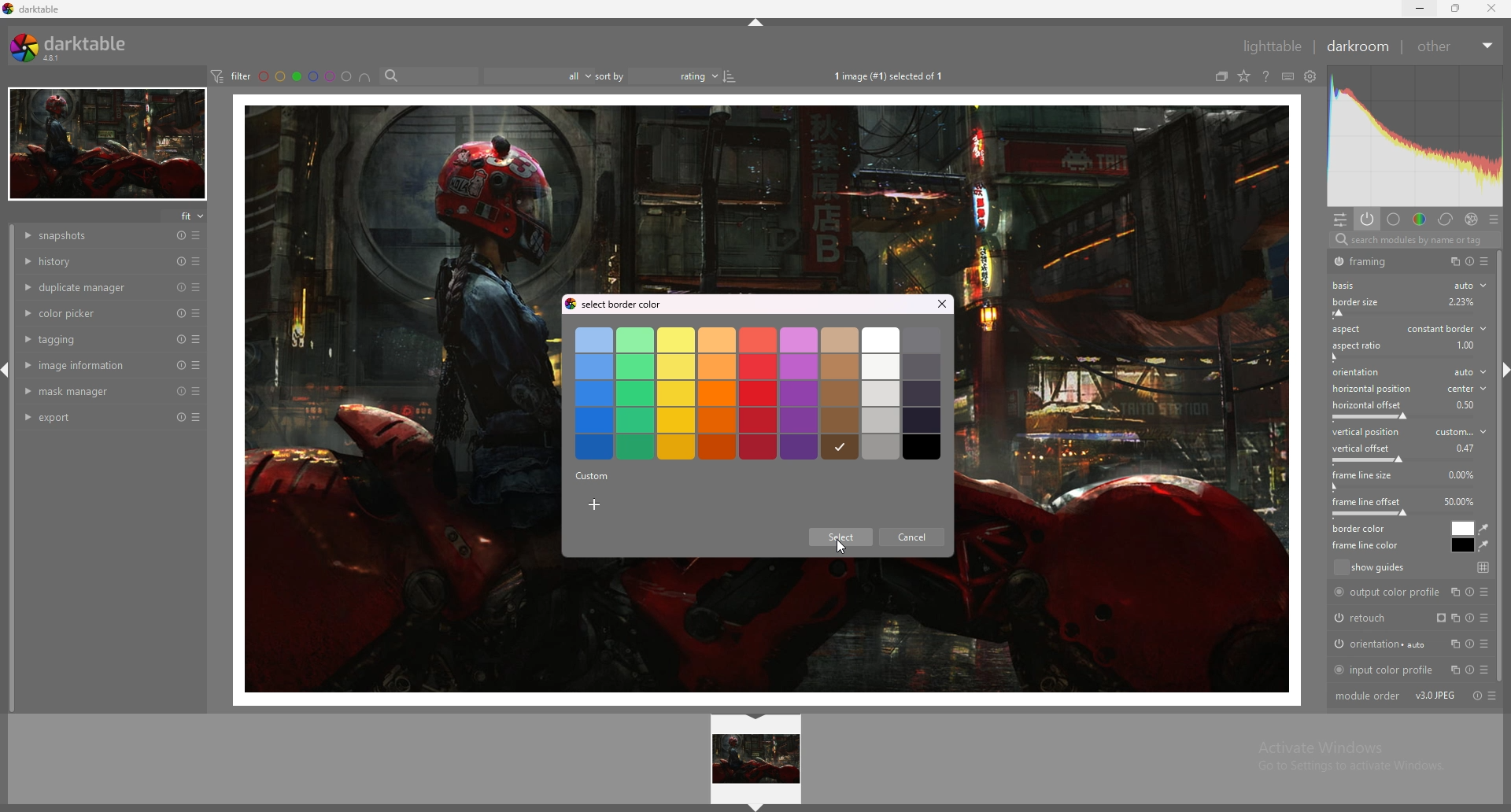 Image resolution: width=1511 pixels, height=812 pixels. Describe the element at coordinates (1367, 696) in the screenshot. I see `module order` at that location.